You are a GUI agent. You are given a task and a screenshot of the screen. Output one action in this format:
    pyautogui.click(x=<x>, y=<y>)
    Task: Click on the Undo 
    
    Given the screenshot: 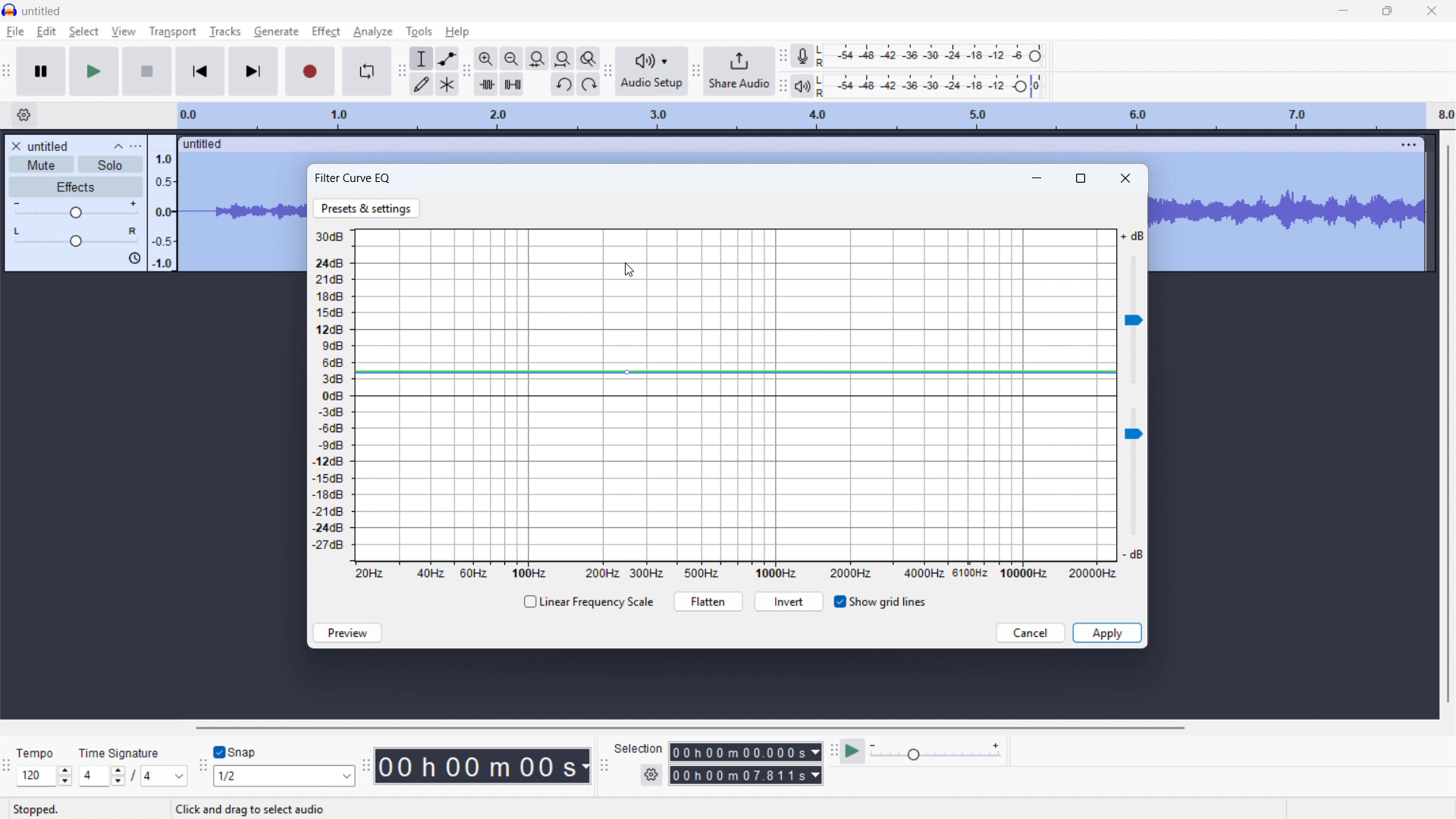 What is the action you would take?
    pyautogui.click(x=563, y=85)
    